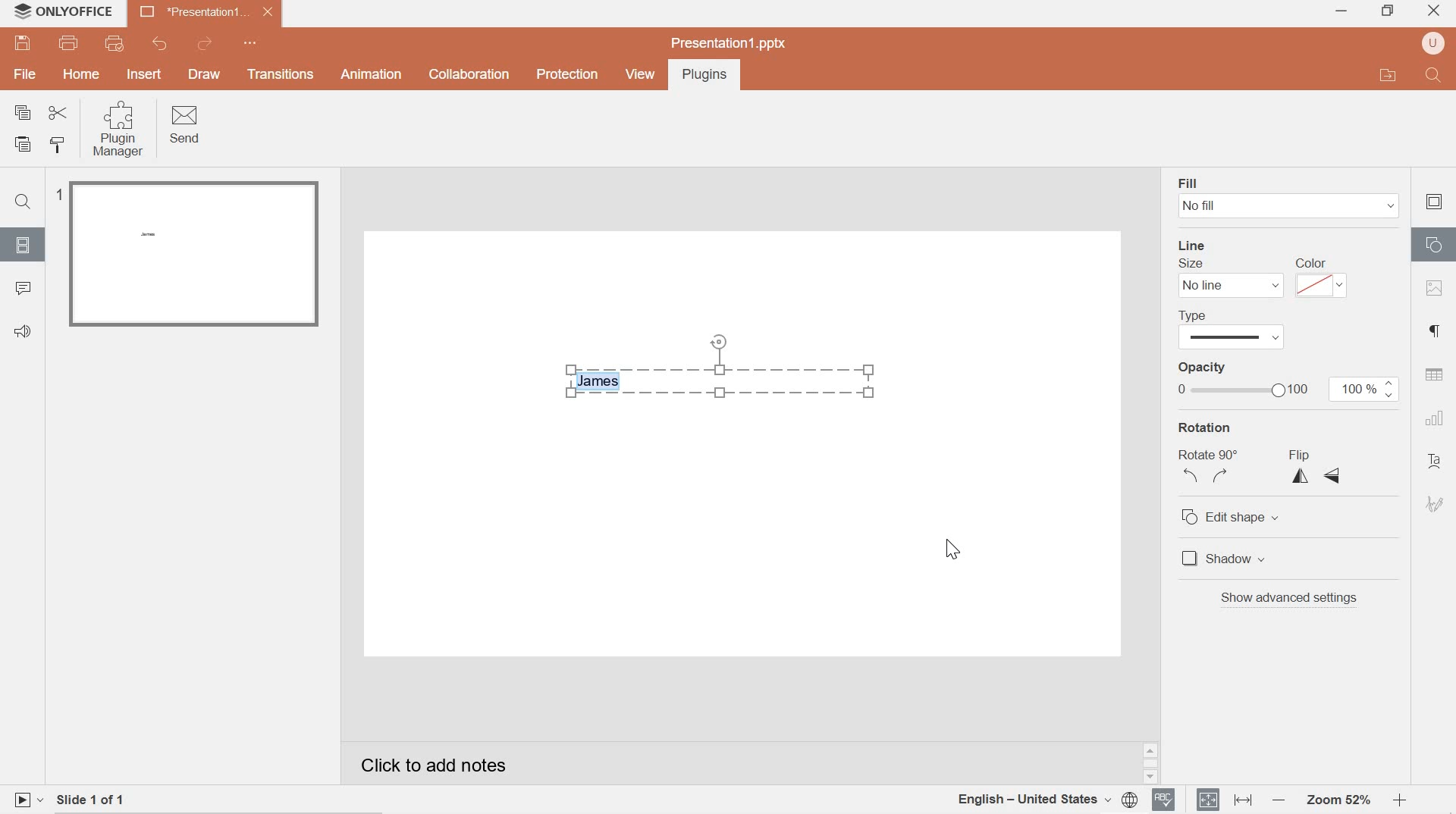  What do you see at coordinates (121, 130) in the screenshot?
I see `Plugin Manager` at bounding box center [121, 130].